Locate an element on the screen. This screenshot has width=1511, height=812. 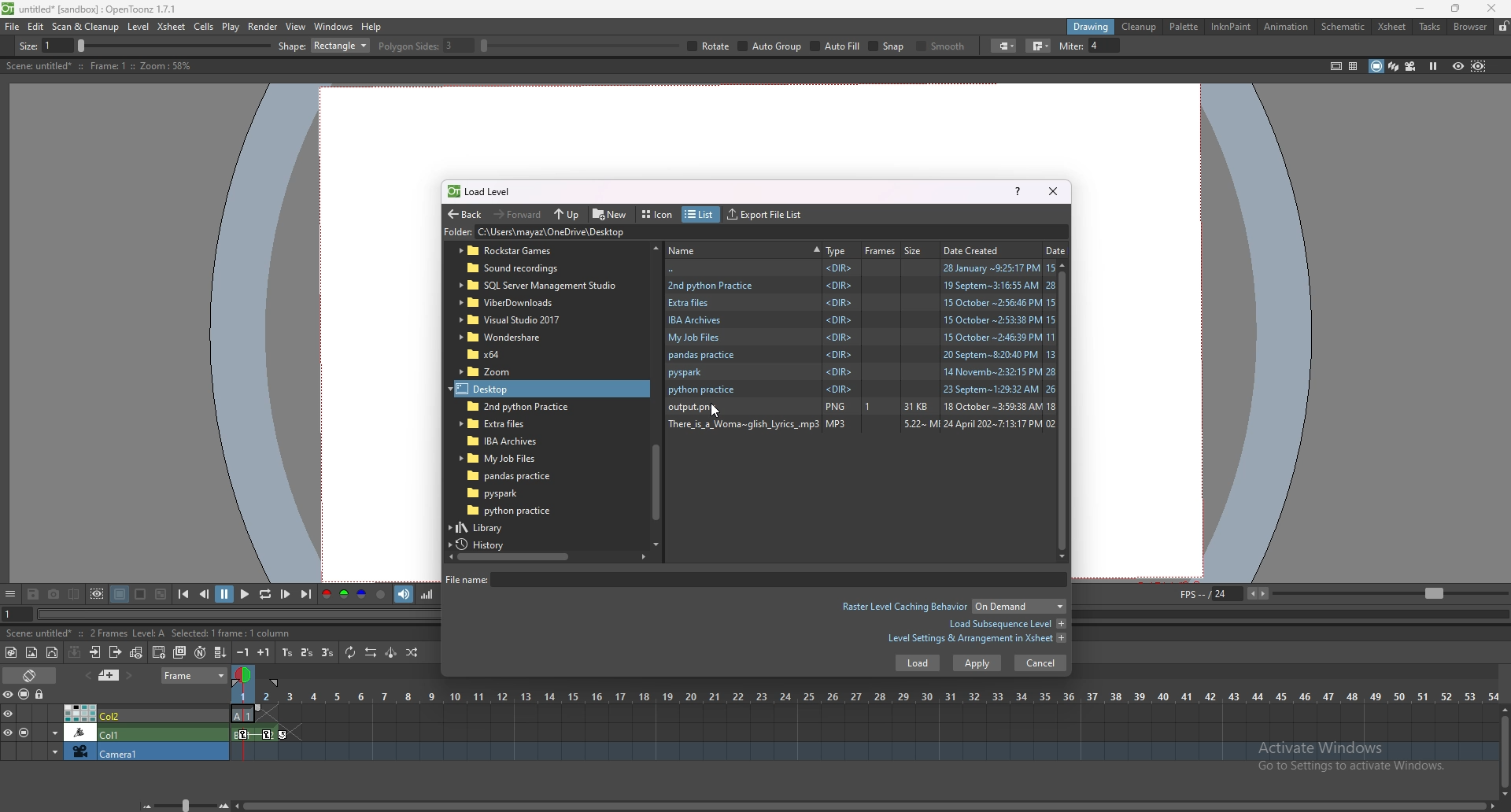
preview is located at coordinates (1458, 65).